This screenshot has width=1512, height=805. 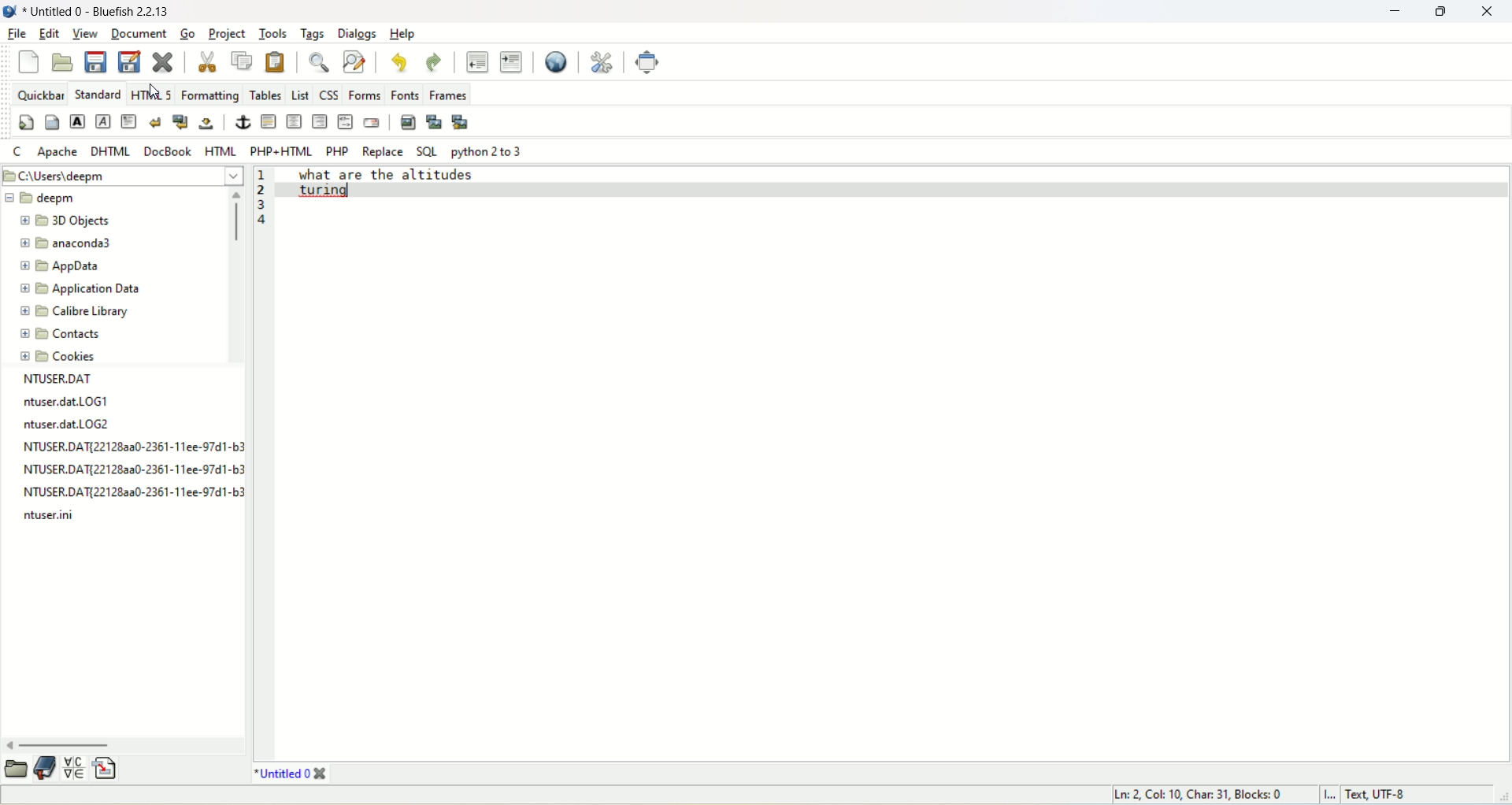 I want to click on what are the altitudes turing, so click(x=390, y=184).